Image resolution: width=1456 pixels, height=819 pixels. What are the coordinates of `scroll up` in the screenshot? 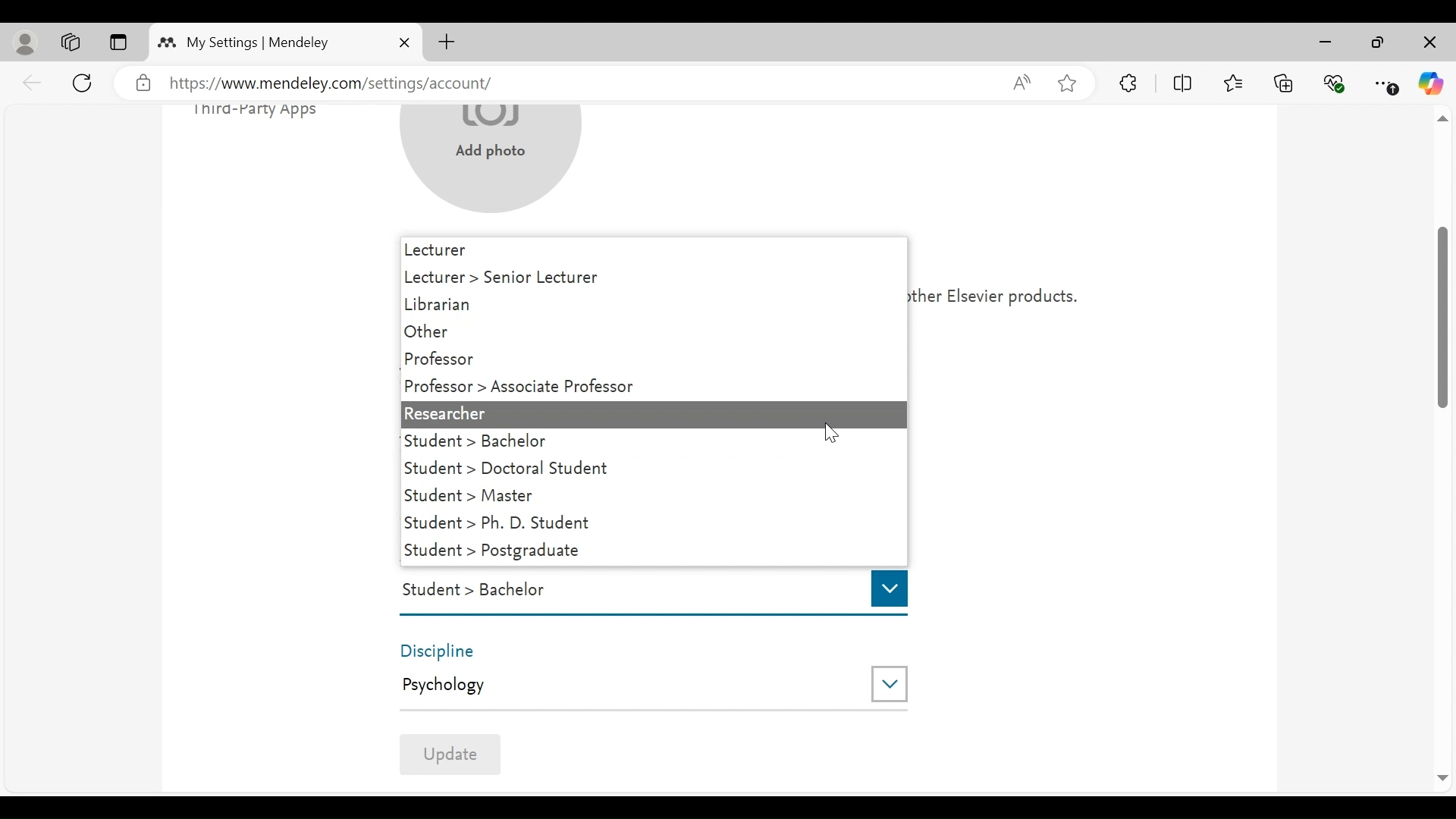 It's located at (1442, 120).